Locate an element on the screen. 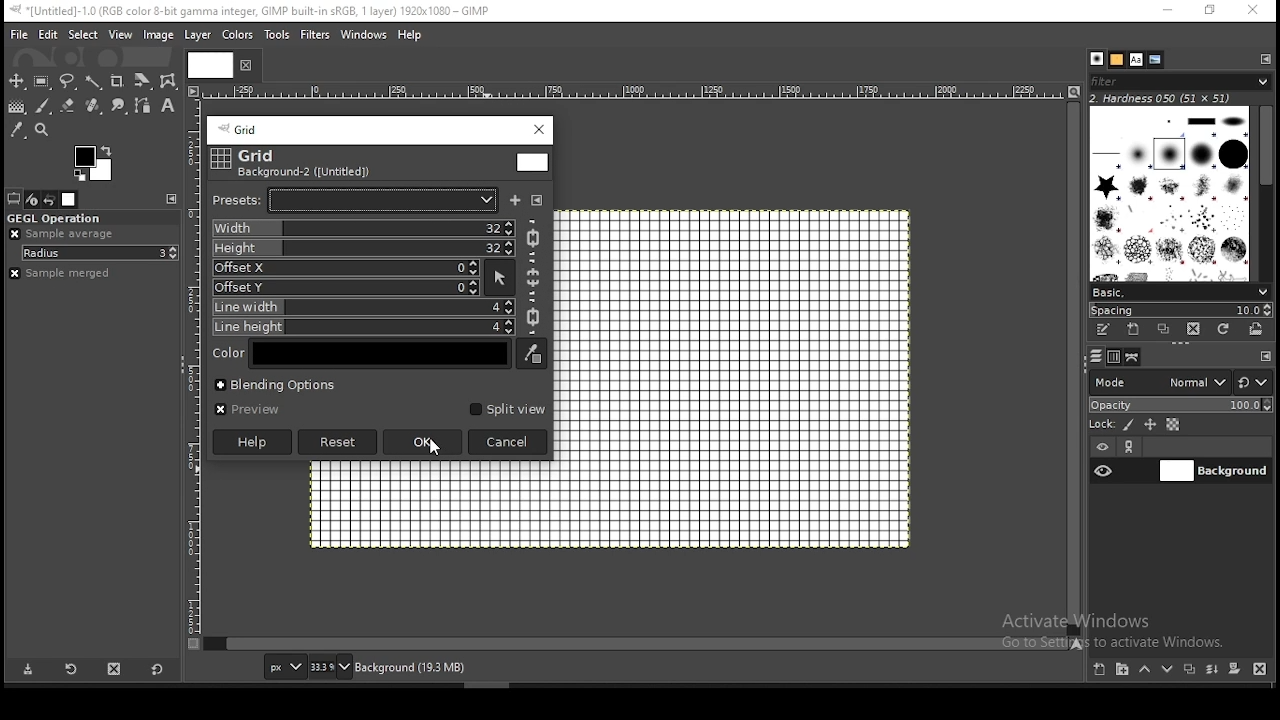  duplicate brush is located at coordinates (1166, 329).